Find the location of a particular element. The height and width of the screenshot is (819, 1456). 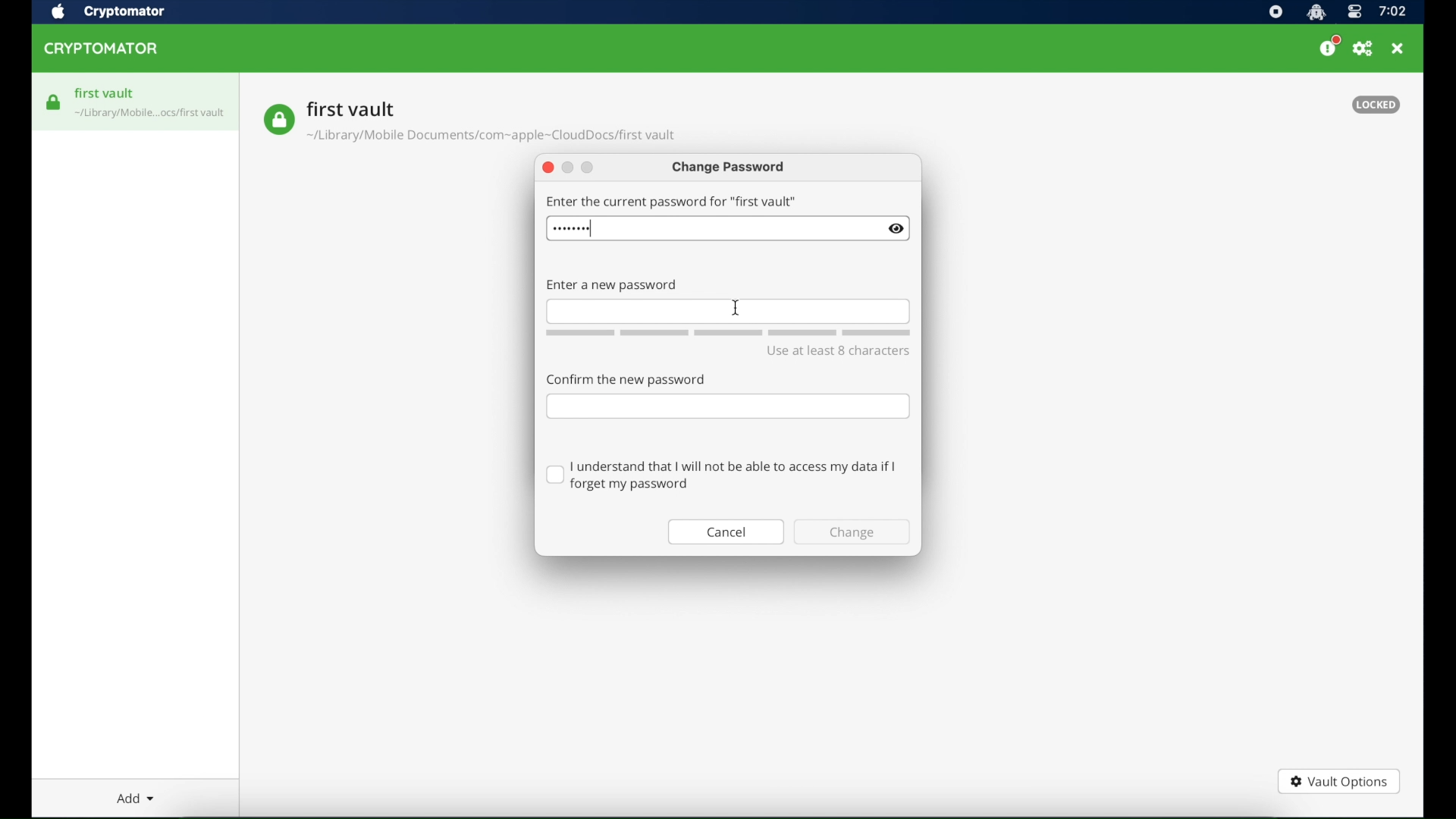

time is located at coordinates (1392, 12).